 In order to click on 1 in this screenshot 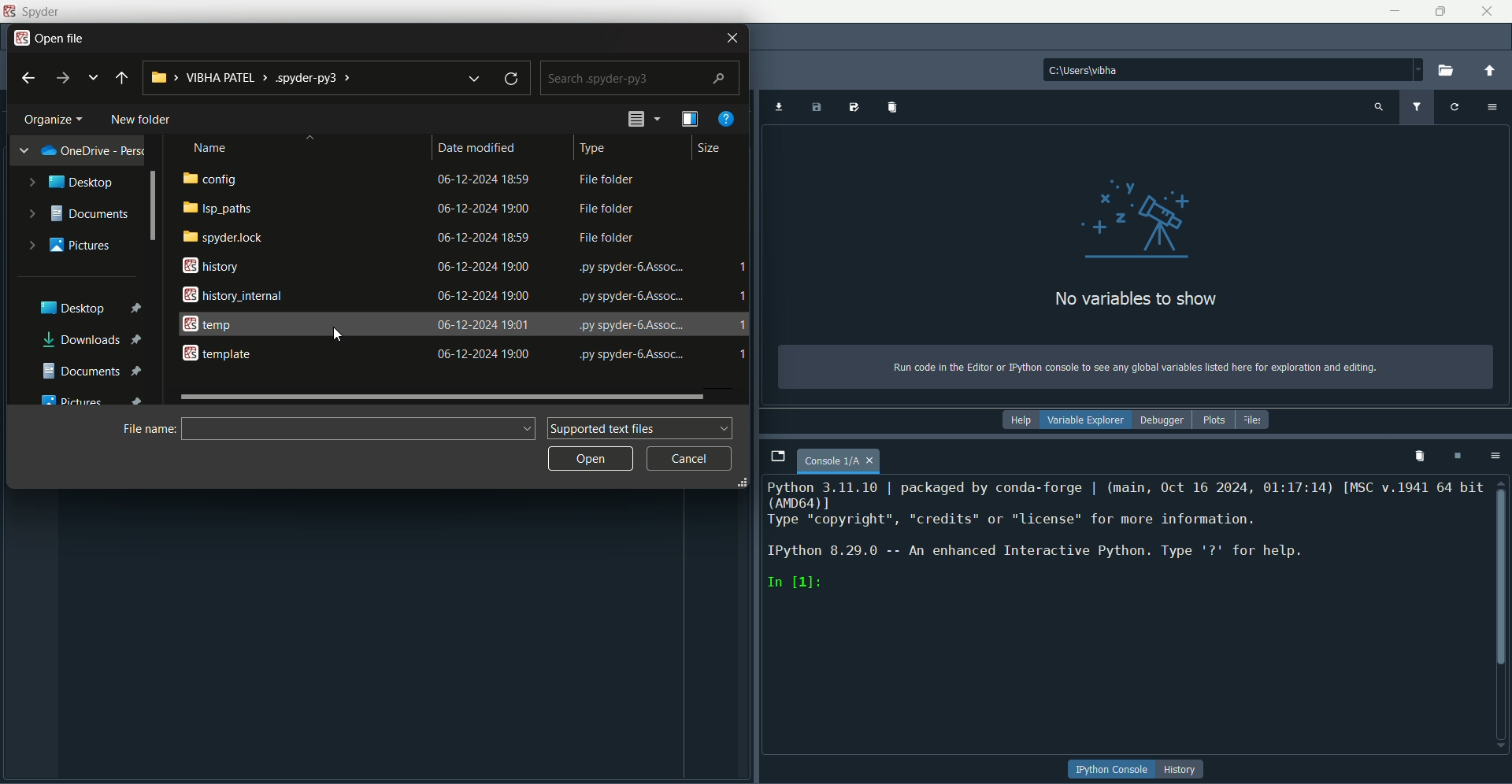, I will do `click(743, 324)`.